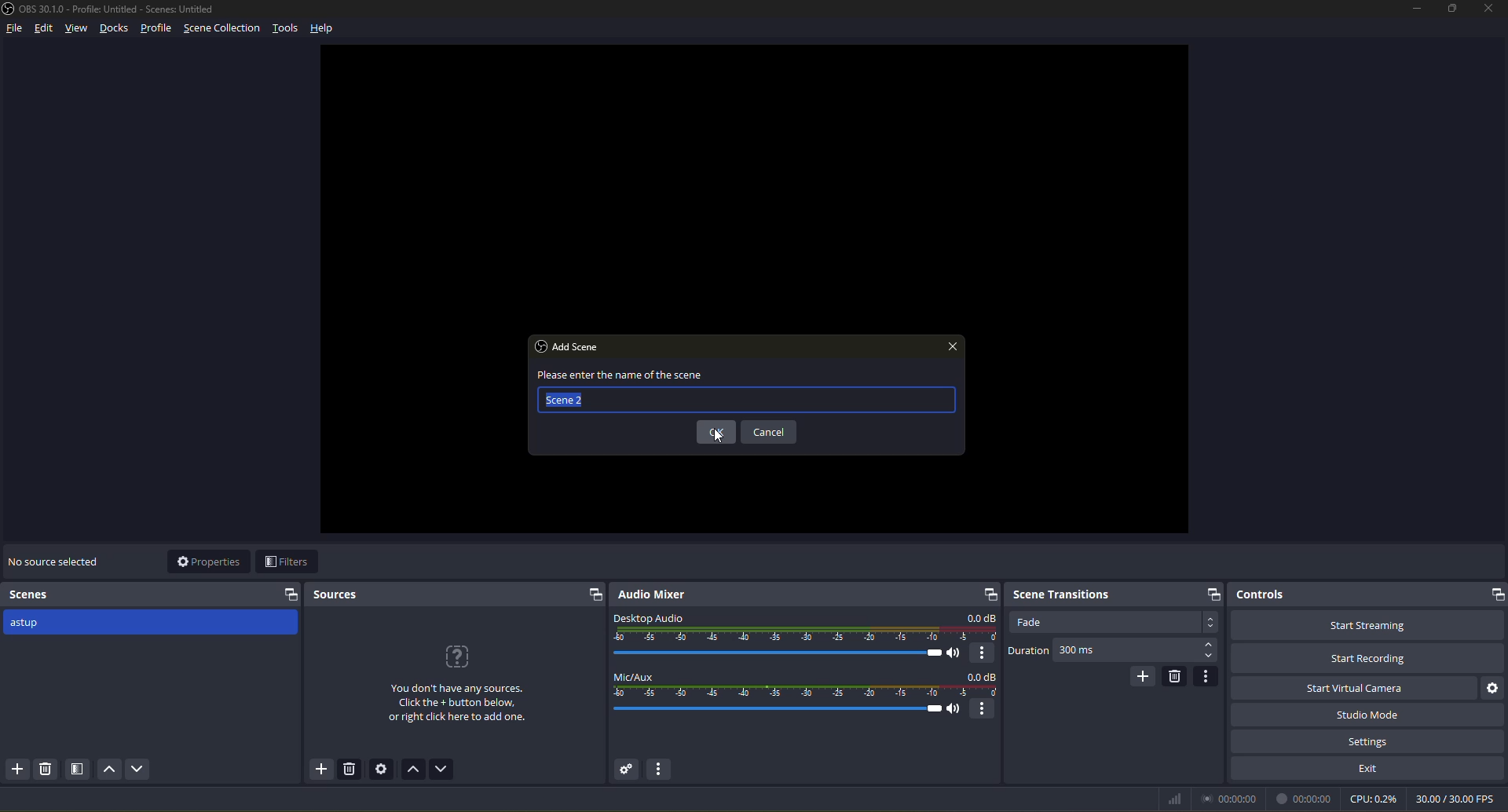  I want to click on expand, so click(1495, 593).